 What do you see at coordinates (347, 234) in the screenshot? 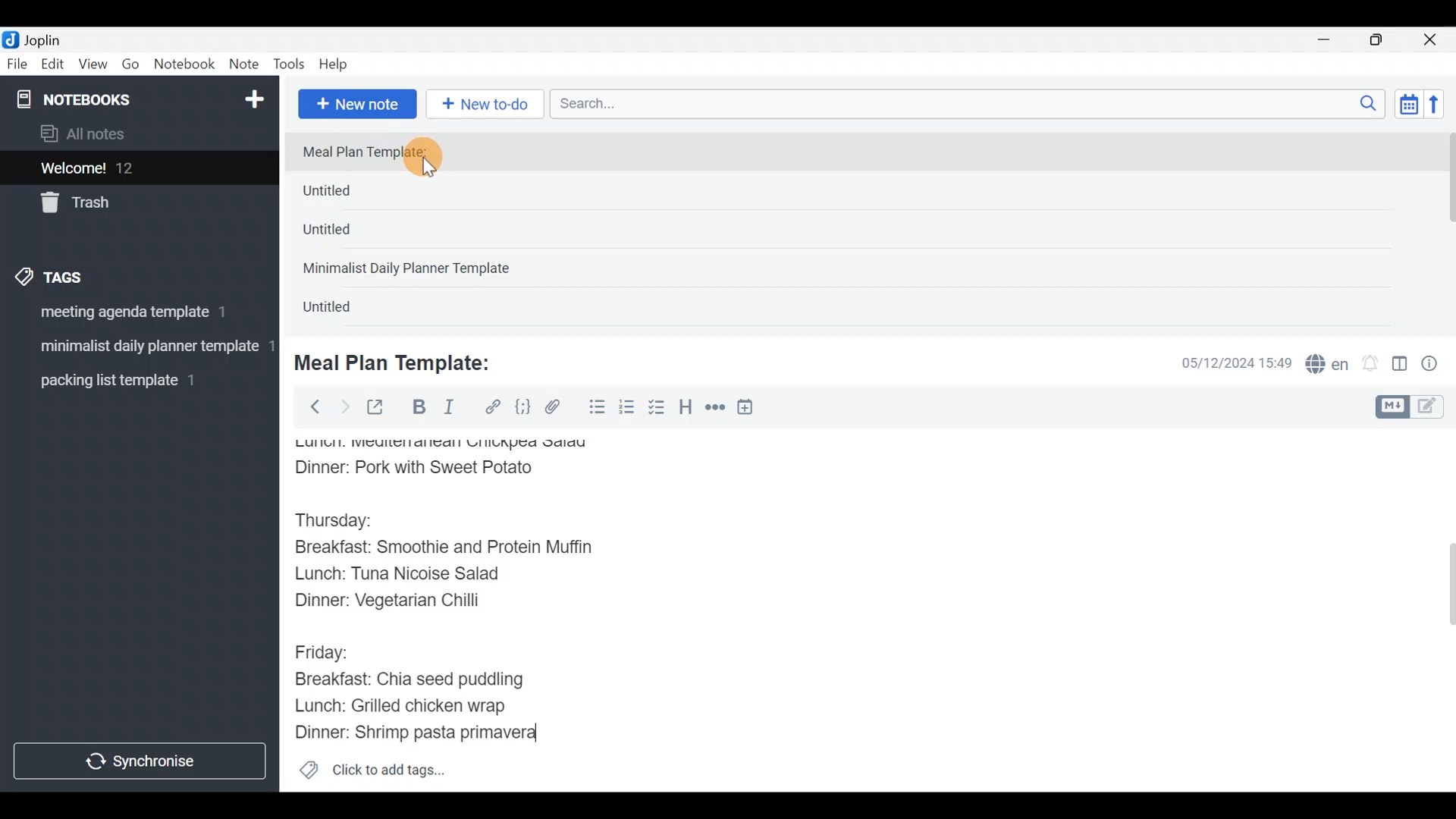
I see `Untitled` at bounding box center [347, 234].